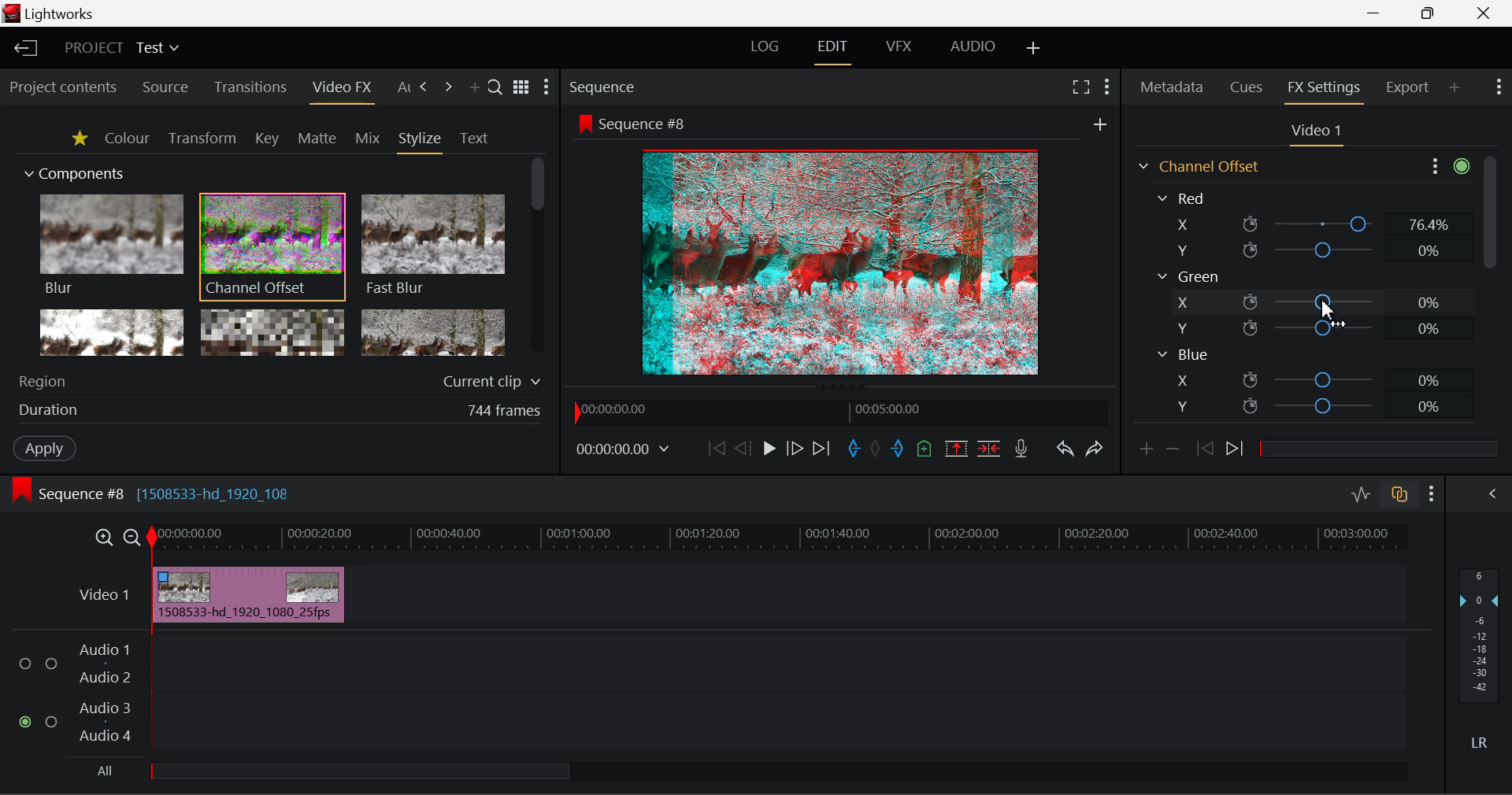 Image resolution: width=1512 pixels, height=795 pixels. I want to click on Cues, so click(1246, 87).